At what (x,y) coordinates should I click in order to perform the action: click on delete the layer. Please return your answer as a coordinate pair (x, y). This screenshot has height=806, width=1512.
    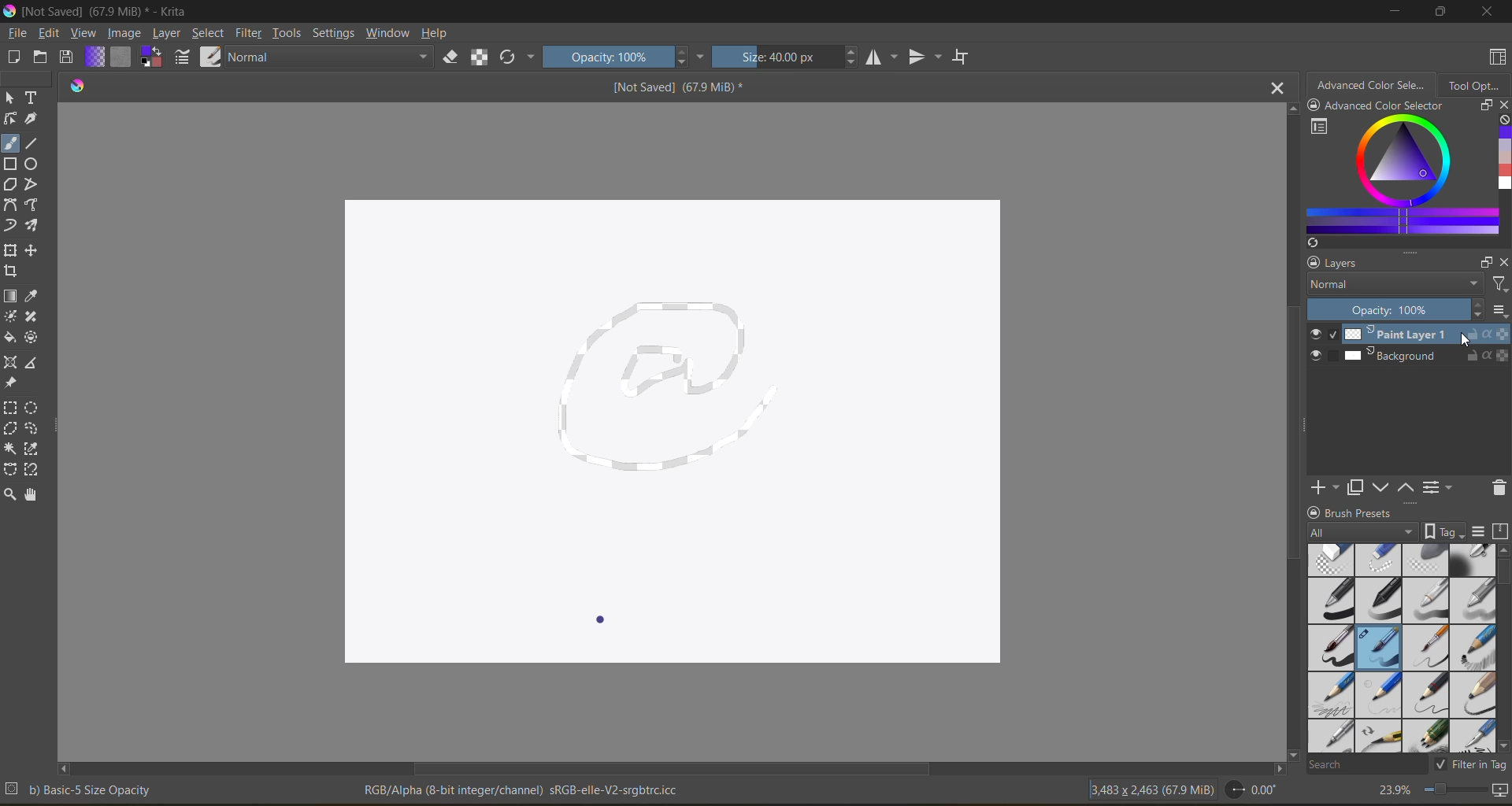
    Looking at the image, I should click on (1496, 488).